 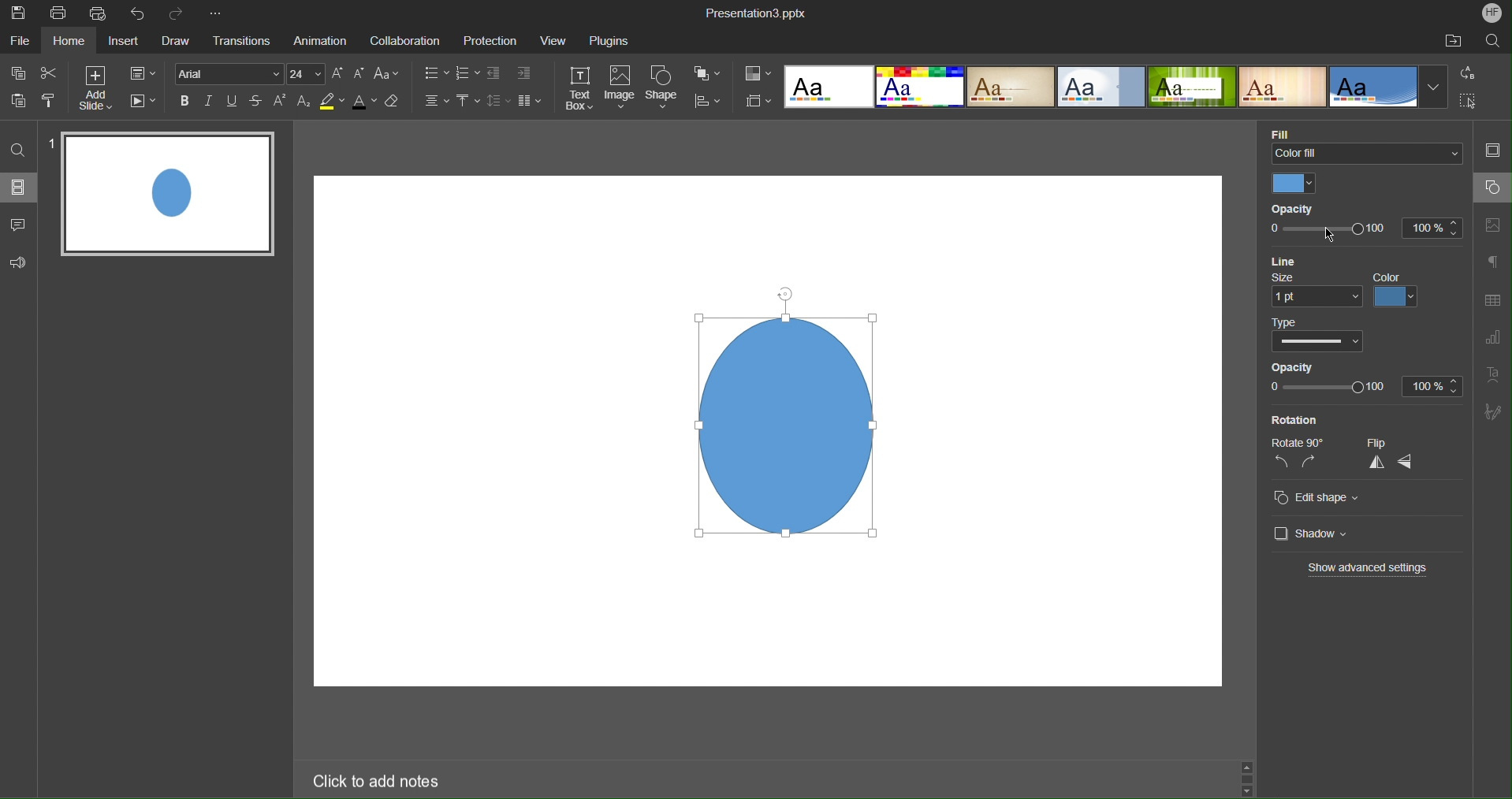 What do you see at coordinates (307, 74) in the screenshot?
I see `24` at bounding box center [307, 74].